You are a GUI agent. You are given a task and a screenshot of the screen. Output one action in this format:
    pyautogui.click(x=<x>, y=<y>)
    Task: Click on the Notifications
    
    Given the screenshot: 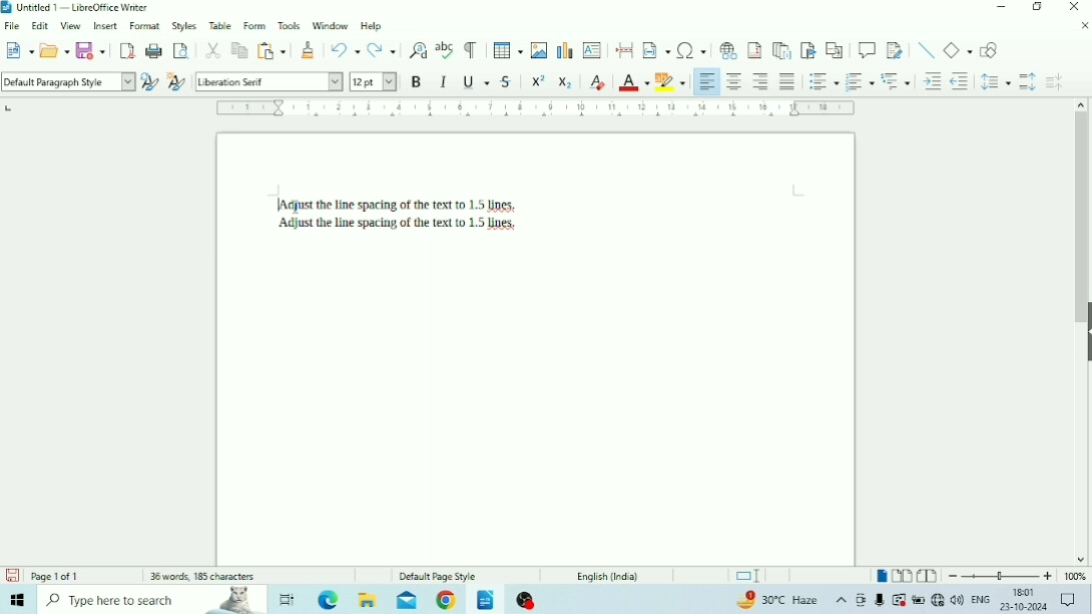 What is the action you would take?
    pyautogui.click(x=1067, y=598)
    